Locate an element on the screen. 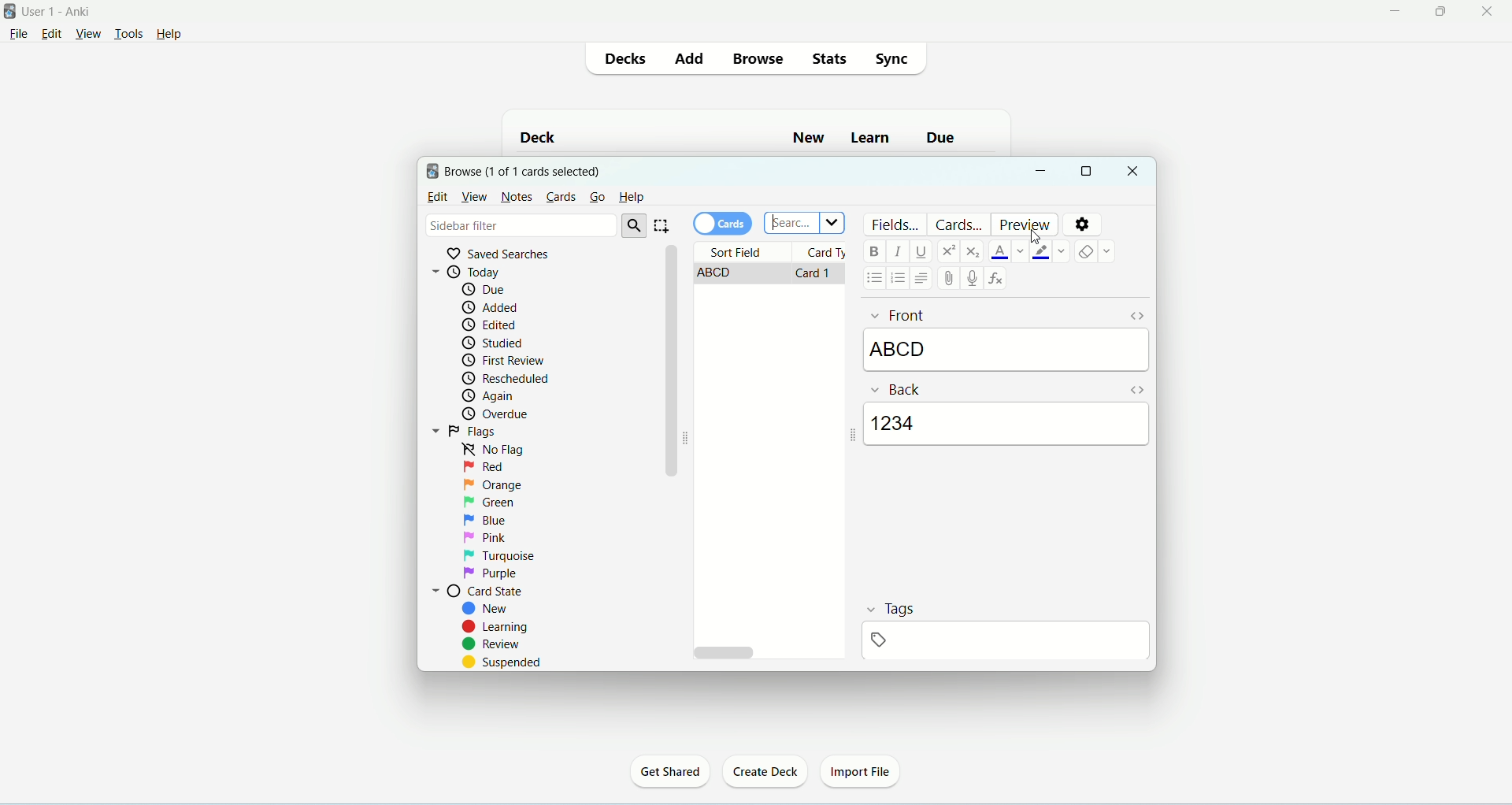 The height and width of the screenshot is (805, 1512). browse is located at coordinates (758, 58).